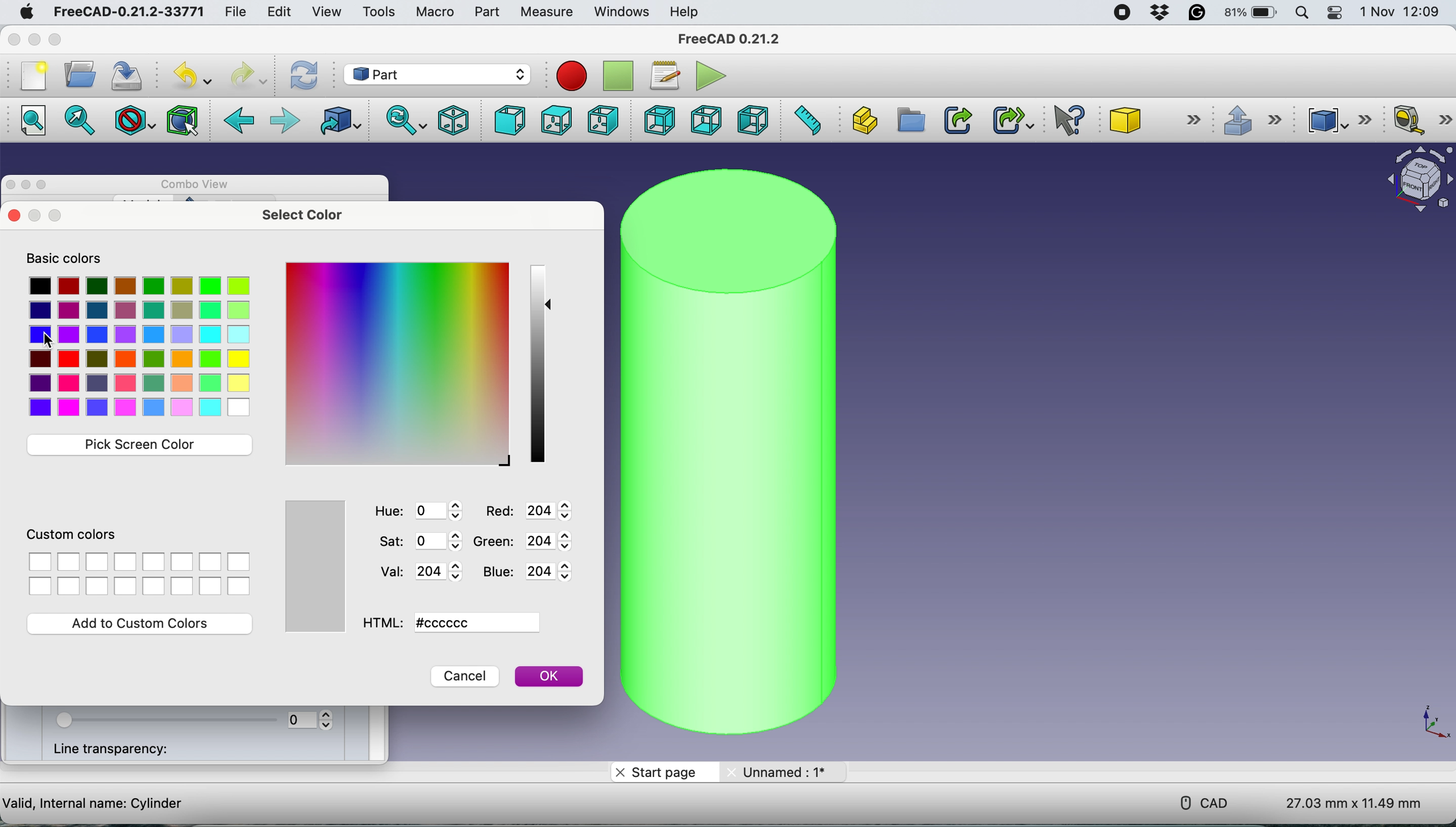  I want to click on measure distance, so click(810, 120).